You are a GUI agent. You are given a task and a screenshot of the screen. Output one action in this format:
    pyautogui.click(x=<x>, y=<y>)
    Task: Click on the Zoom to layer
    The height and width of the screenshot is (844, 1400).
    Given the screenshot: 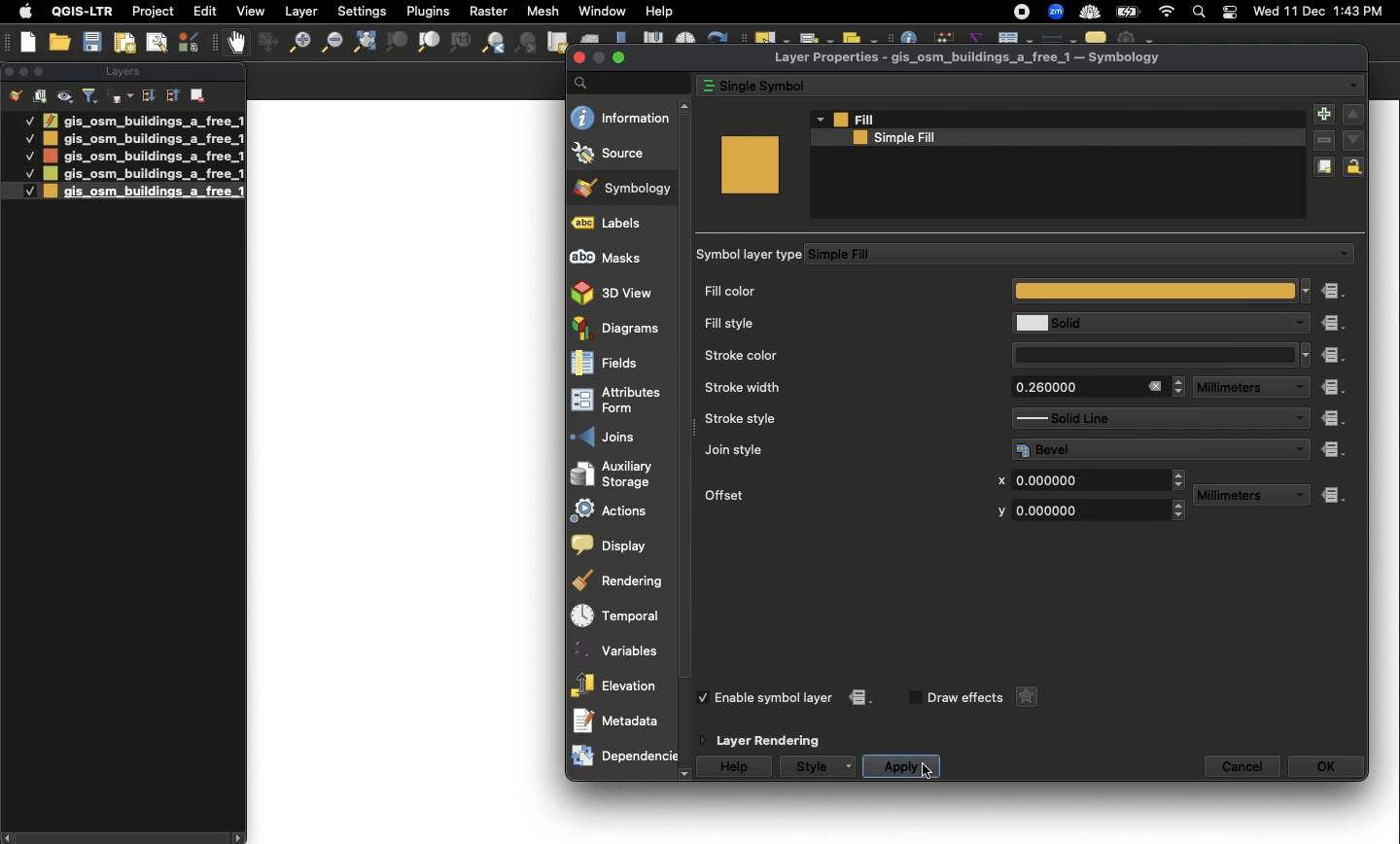 What is the action you would take?
    pyautogui.click(x=430, y=42)
    